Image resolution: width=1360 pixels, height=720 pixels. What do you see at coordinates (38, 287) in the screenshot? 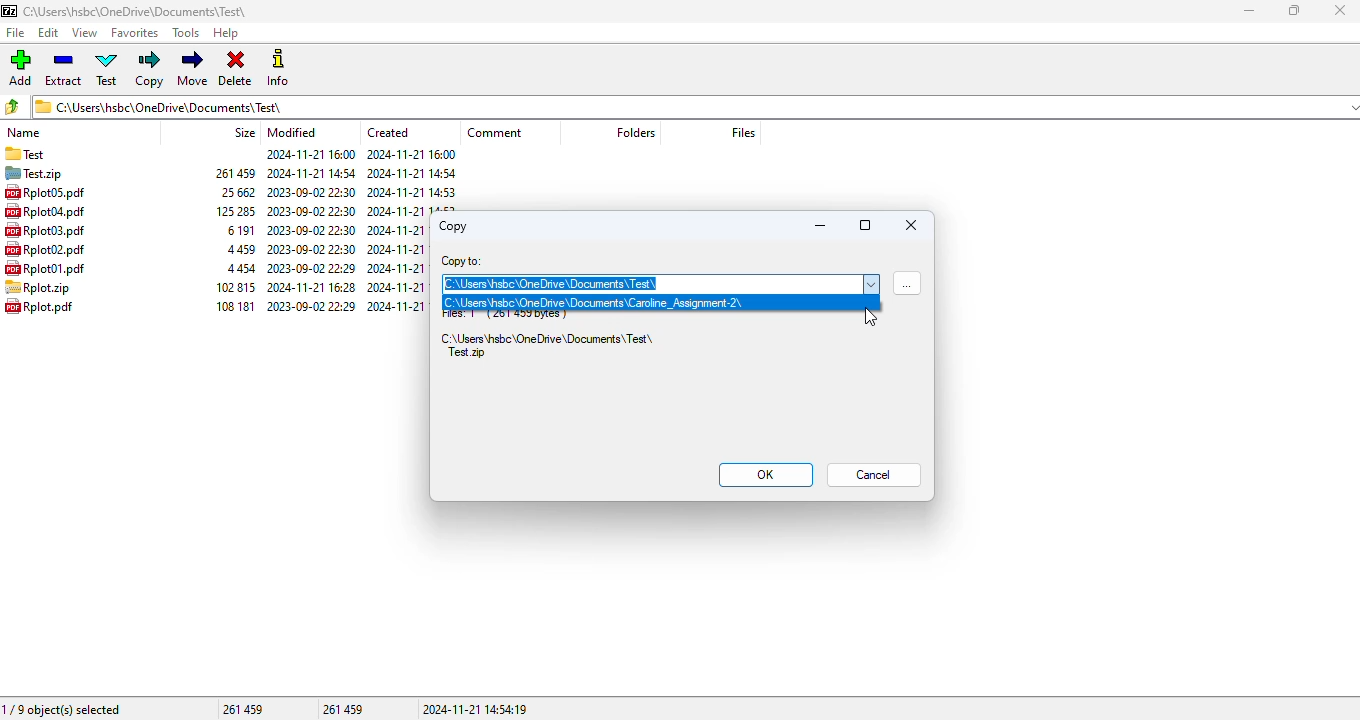
I see `file` at bounding box center [38, 287].